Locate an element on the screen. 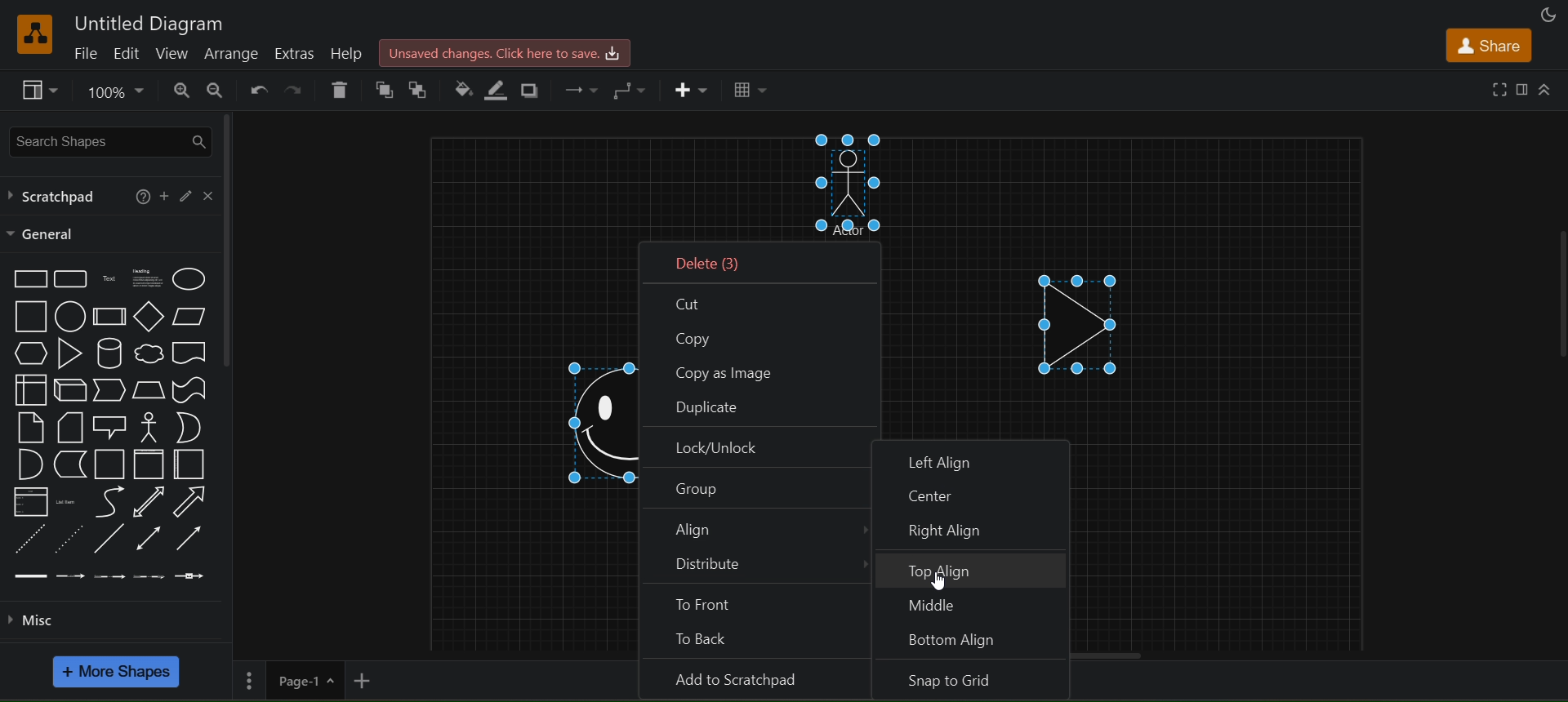  and is located at coordinates (28, 464).